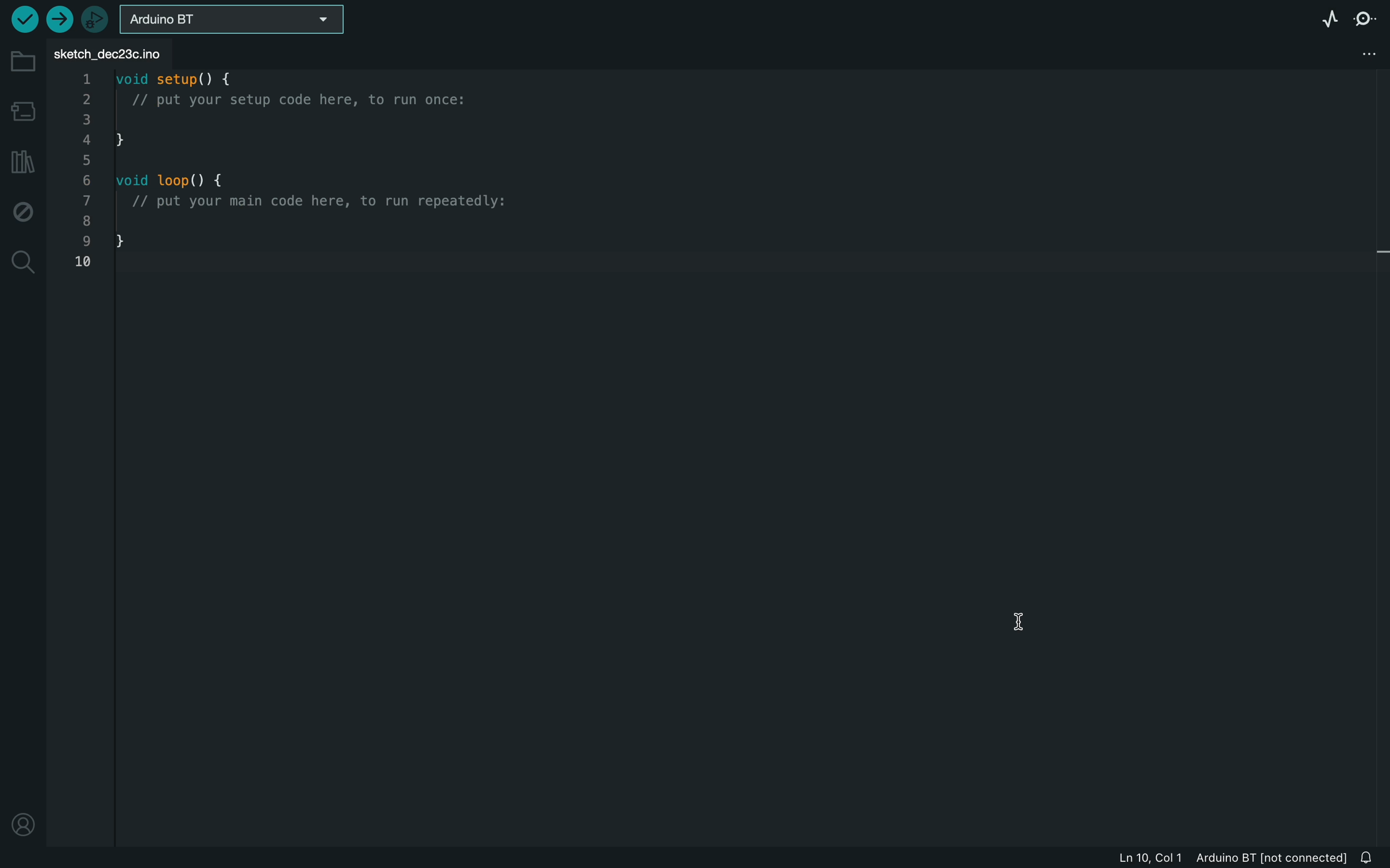 This screenshot has width=1390, height=868. What do you see at coordinates (24, 261) in the screenshot?
I see `search` at bounding box center [24, 261].